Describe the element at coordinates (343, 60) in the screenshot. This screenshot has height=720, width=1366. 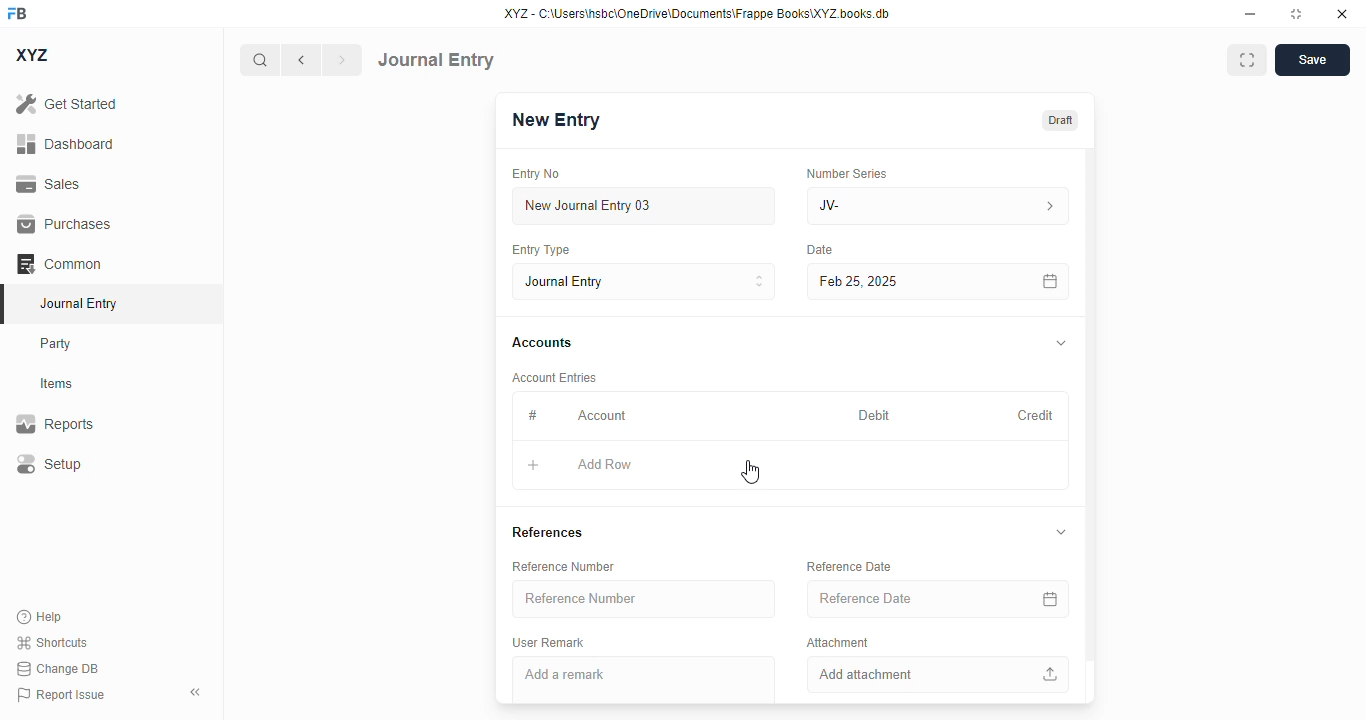
I see `next` at that location.